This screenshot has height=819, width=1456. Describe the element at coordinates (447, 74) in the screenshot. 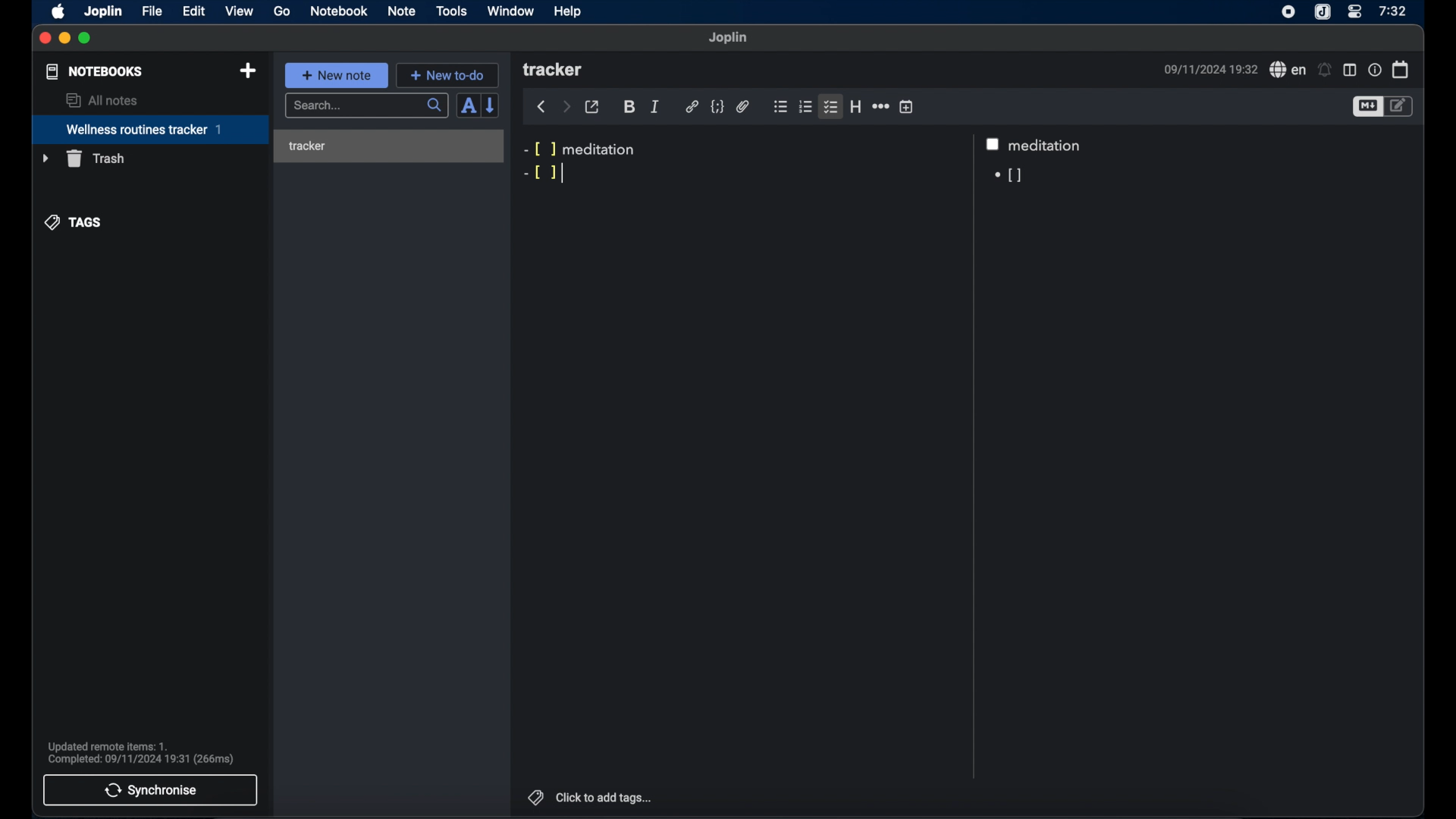

I see `+ new to-do` at that location.